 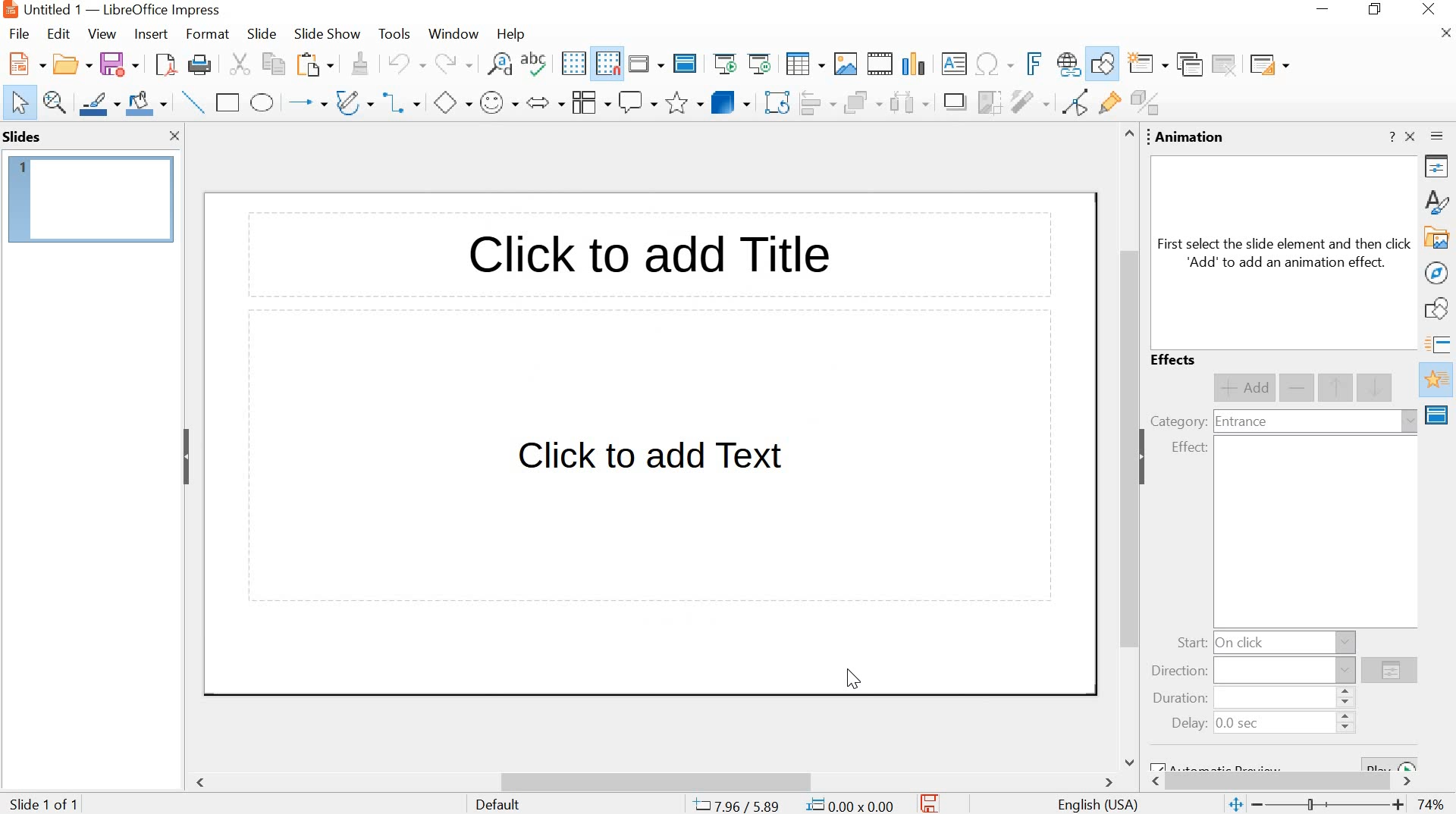 I want to click on ellipse, so click(x=262, y=103).